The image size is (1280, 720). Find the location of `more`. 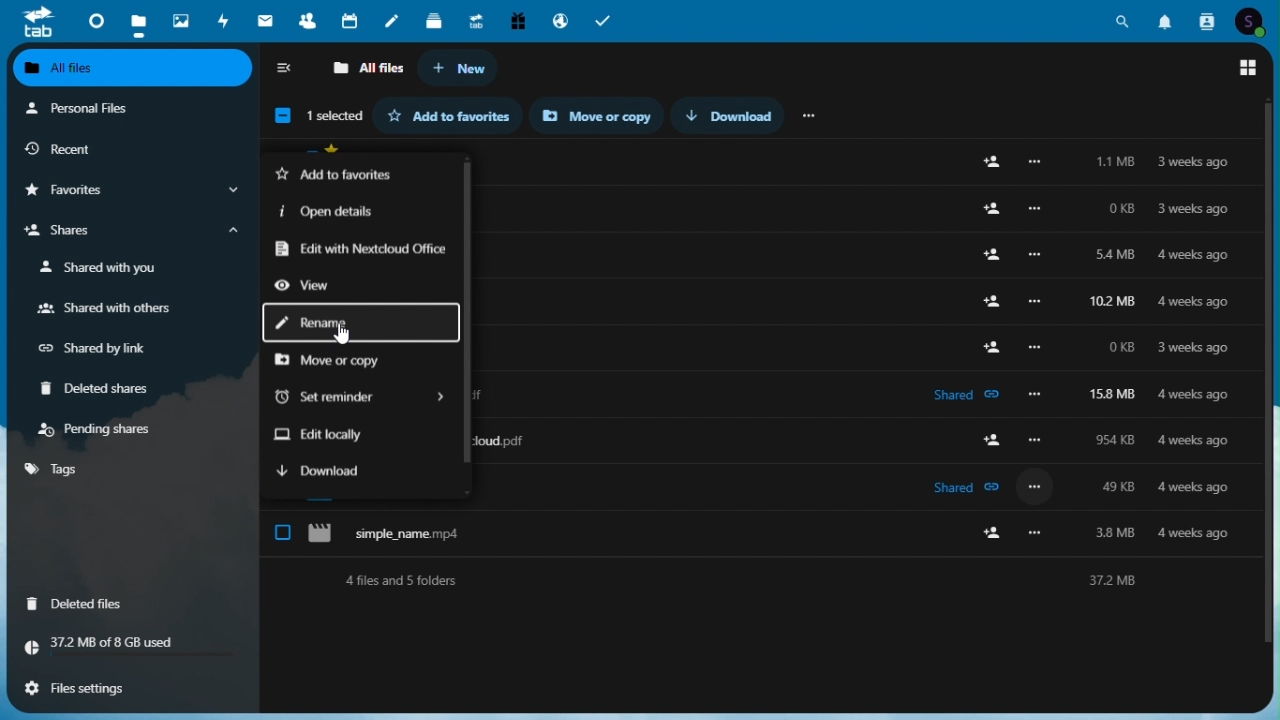

more is located at coordinates (811, 114).